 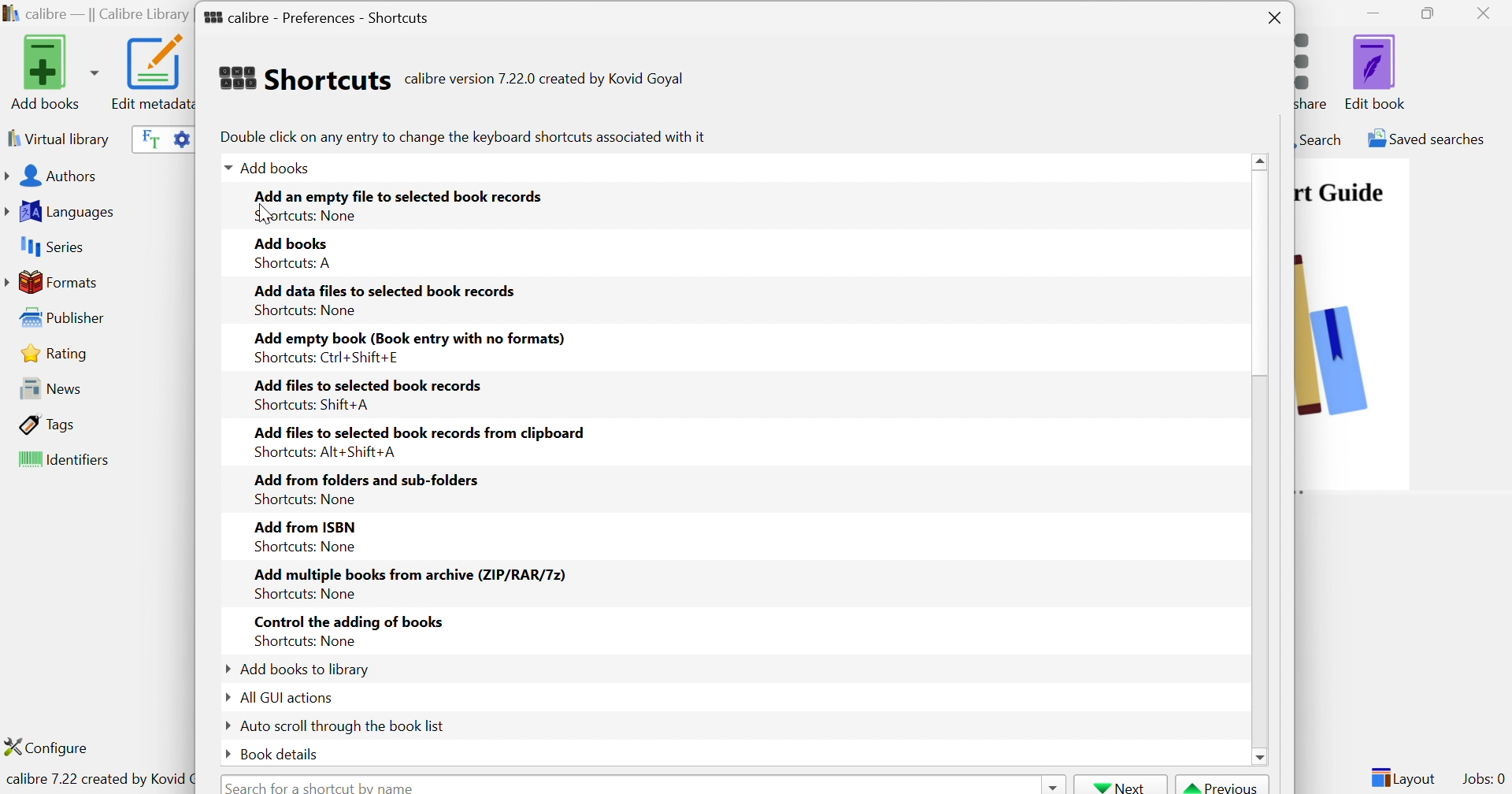 What do you see at coordinates (50, 247) in the screenshot?
I see `Series` at bounding box center [50, 247].